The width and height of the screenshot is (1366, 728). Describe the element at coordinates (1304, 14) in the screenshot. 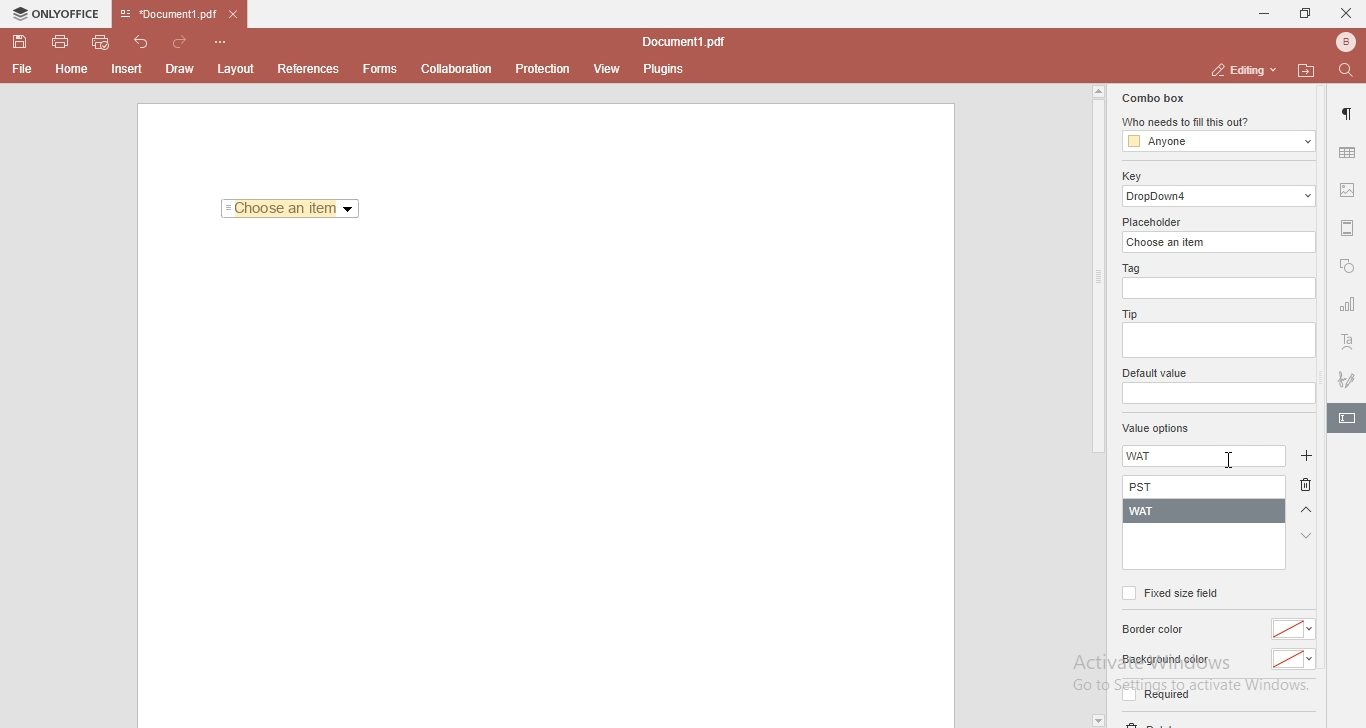

I see `restore` at that location.